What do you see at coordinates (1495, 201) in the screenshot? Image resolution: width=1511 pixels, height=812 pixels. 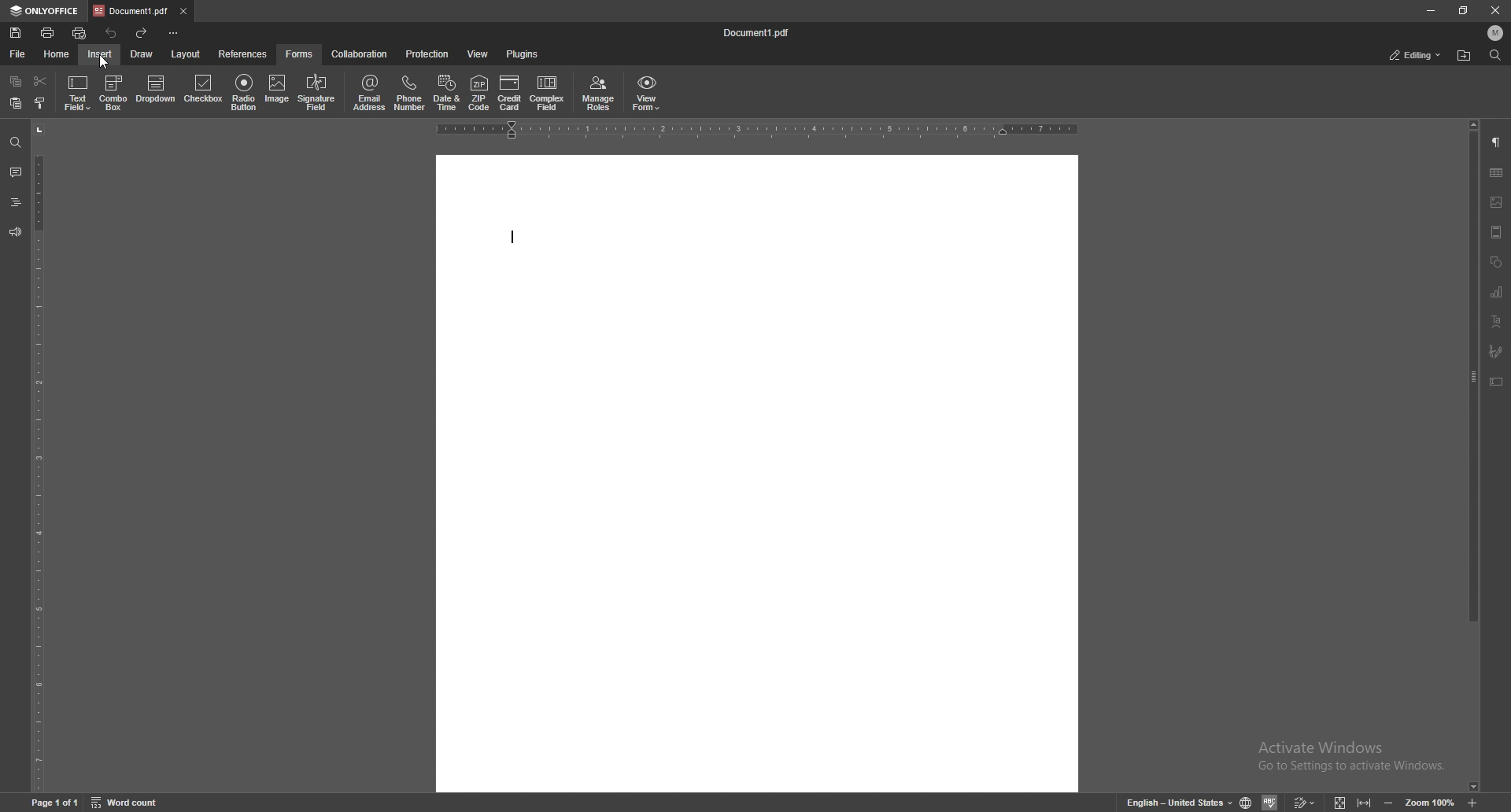 I see `image` at bounding box center [1495, 201].